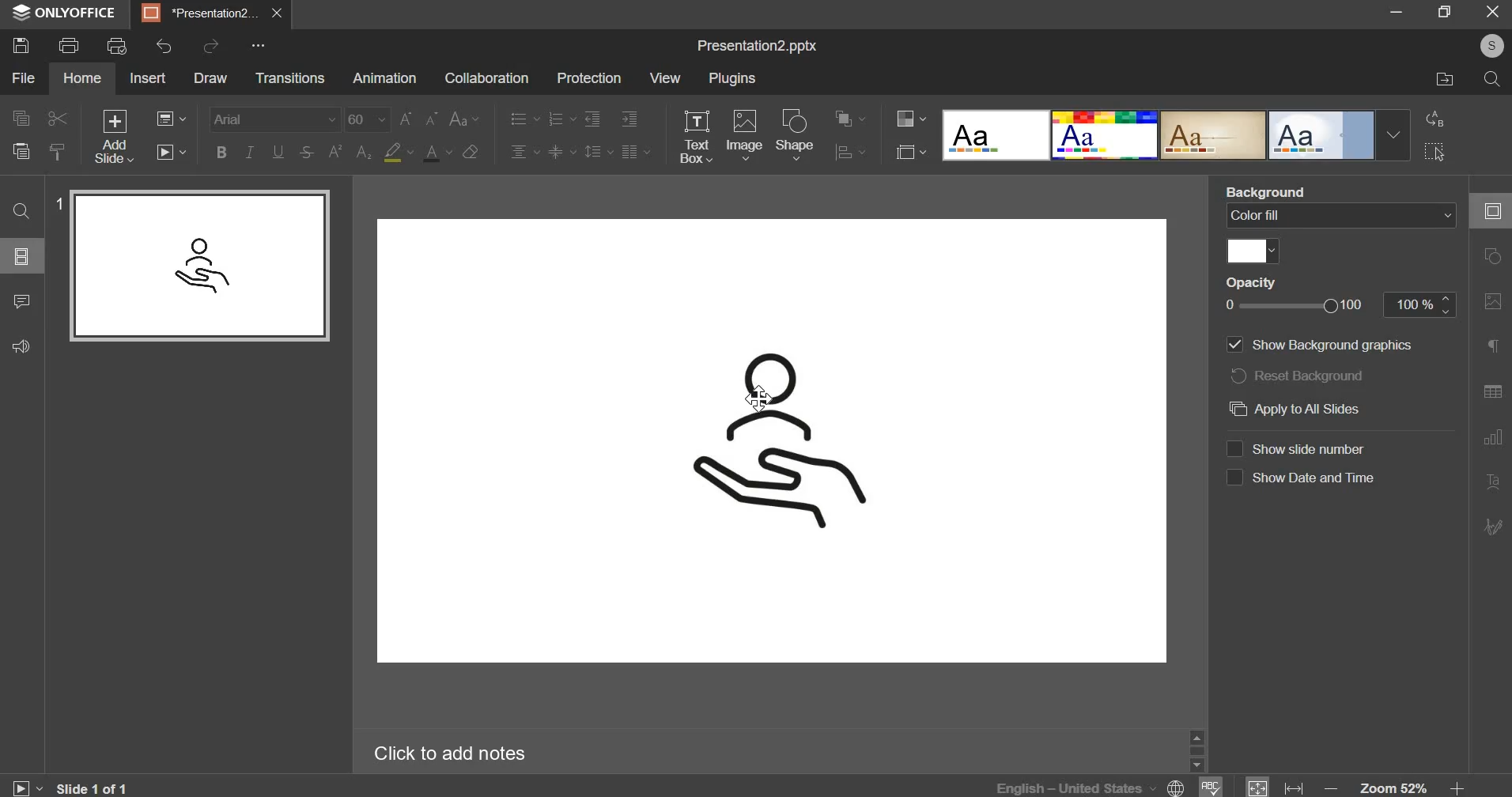 Image resolution: width=1512 pixels, height=797 pixels. Describe the element at coordinates (1332, 376) in the screenshot. I see `background graphics` at that location.